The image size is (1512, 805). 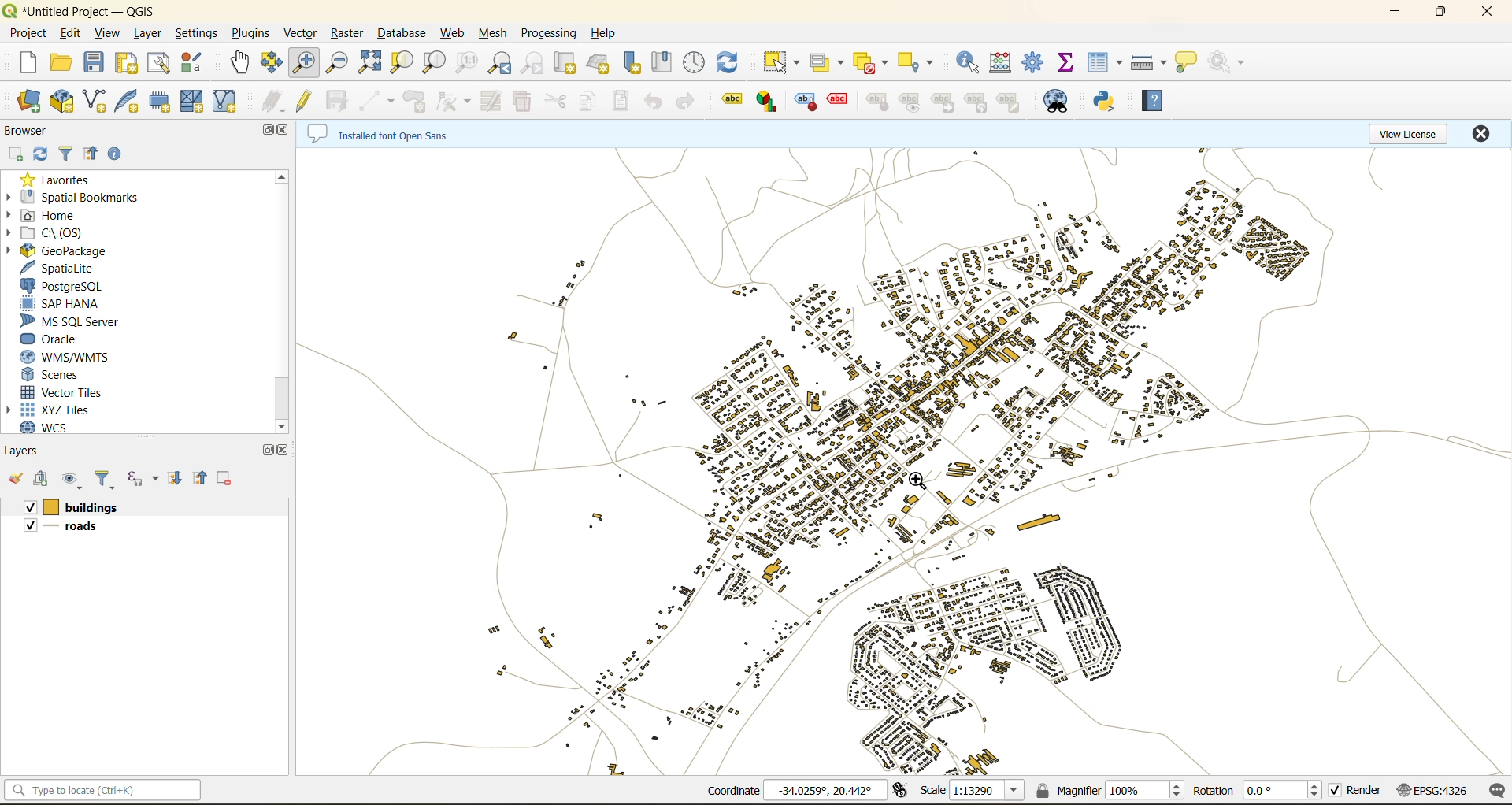 What do you see at coordinates (806, 104) in the screenshot?
I see `Create Label` at bounding box center [806, 104].